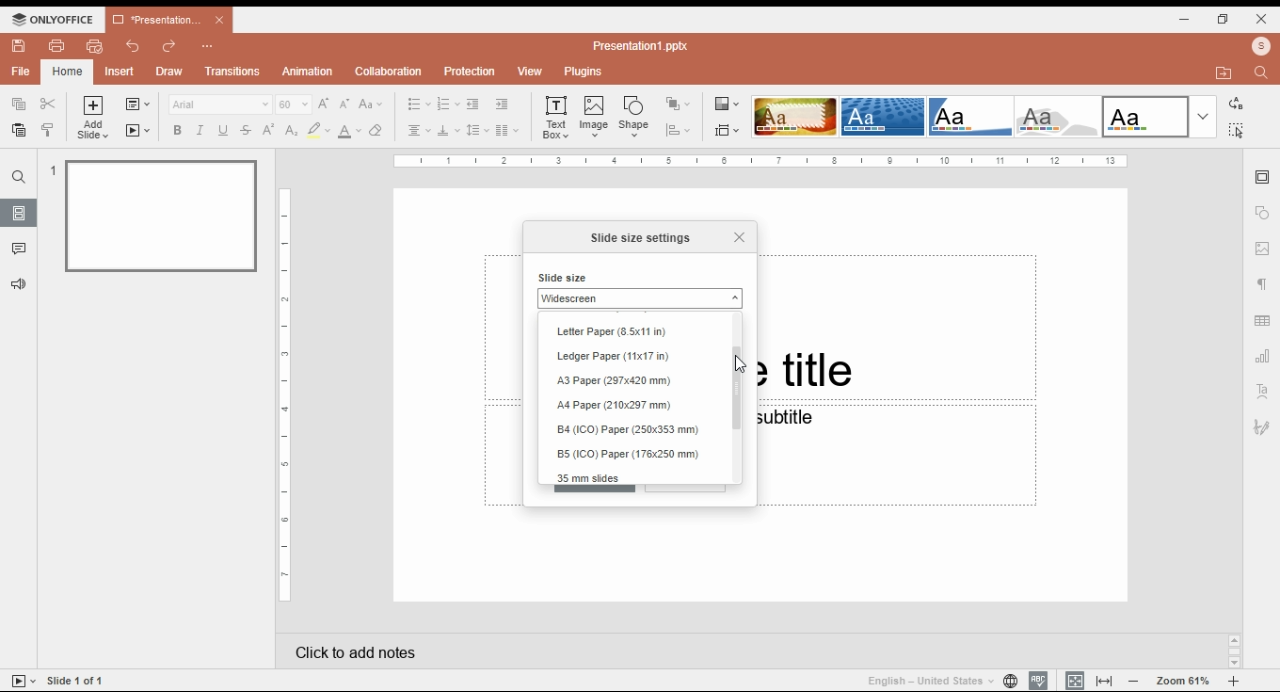 The width and height of the screenshot is (1280, 692). I want to click on copy style, so click(50, 129).